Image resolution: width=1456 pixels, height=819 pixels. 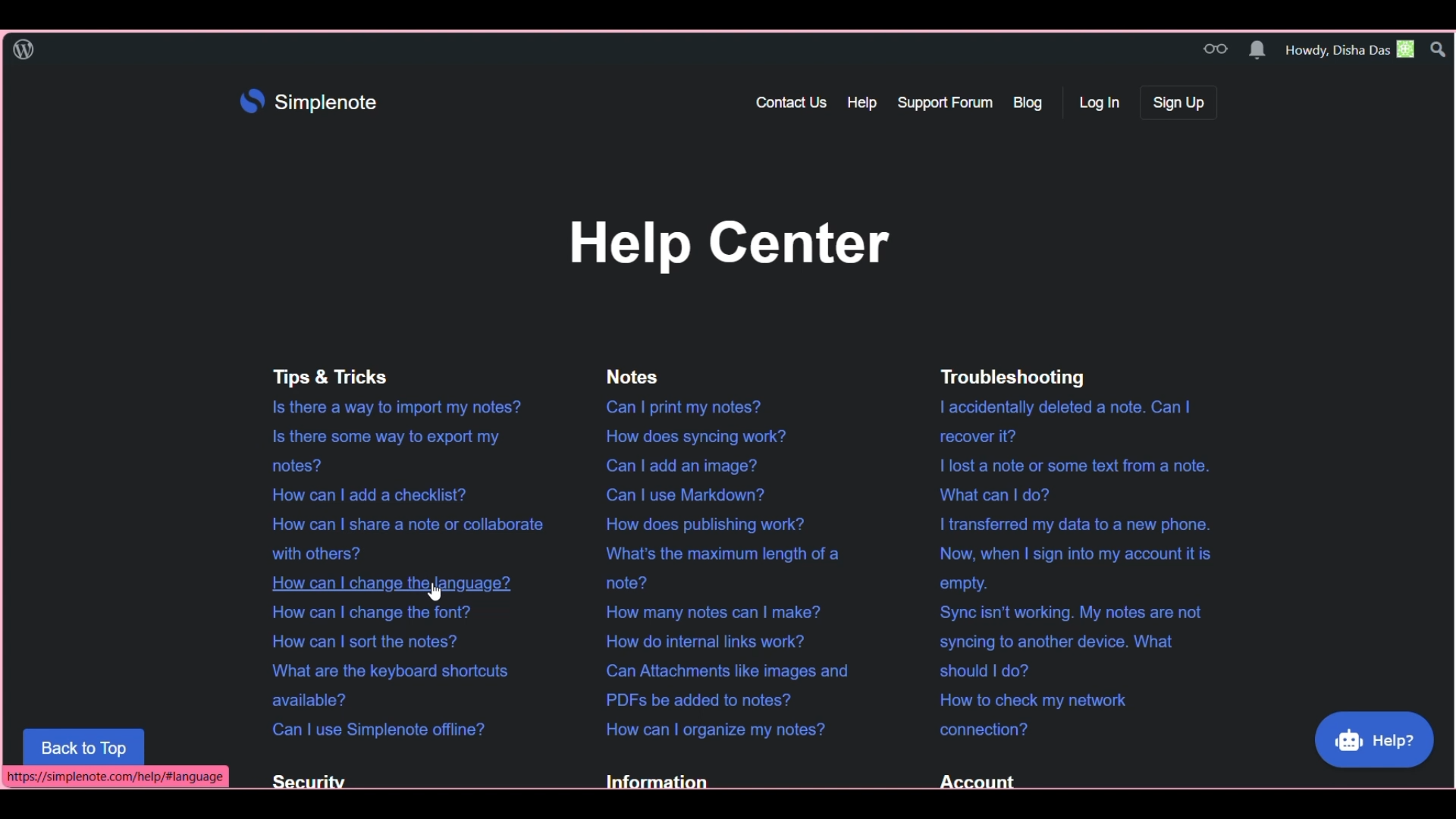 What do you see at coordinates (84, 745) in the screenshot?
I see `back to top` at bounding box center [84, 745].